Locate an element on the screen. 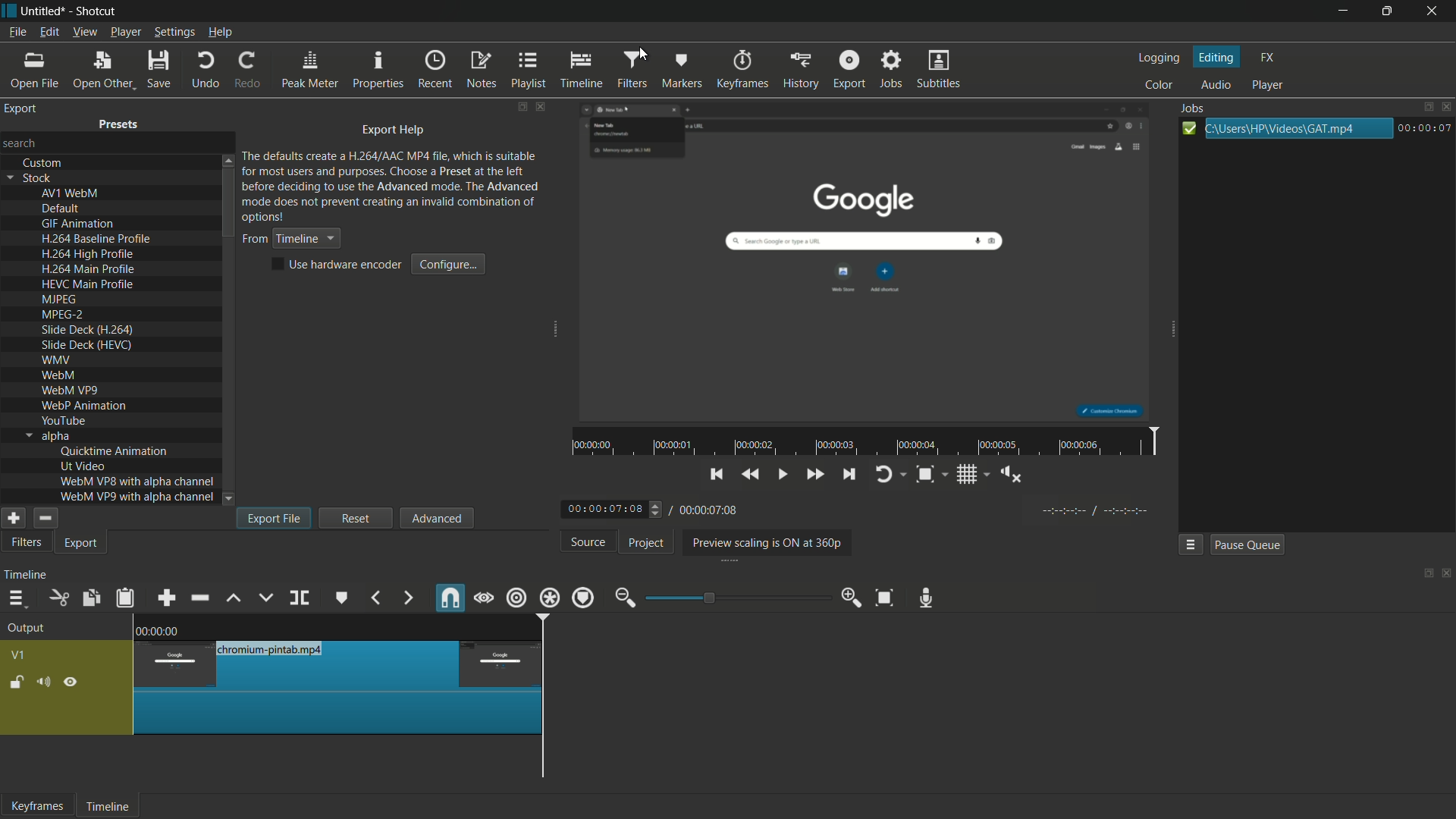 This screenshot has height=819, width=1456. filters is located at coordinates (630, 71).